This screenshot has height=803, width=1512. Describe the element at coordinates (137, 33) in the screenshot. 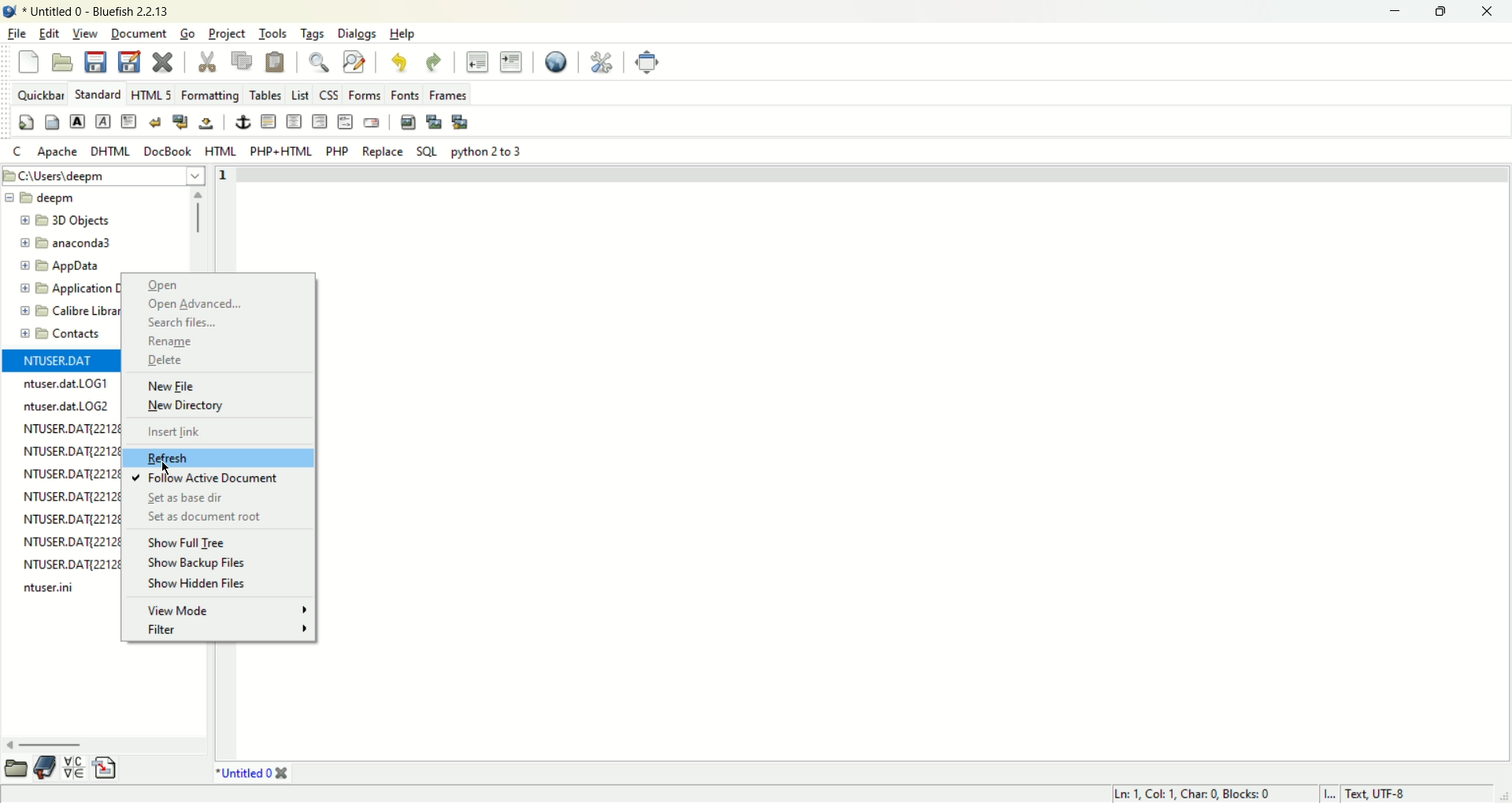

I see `document` at that location.